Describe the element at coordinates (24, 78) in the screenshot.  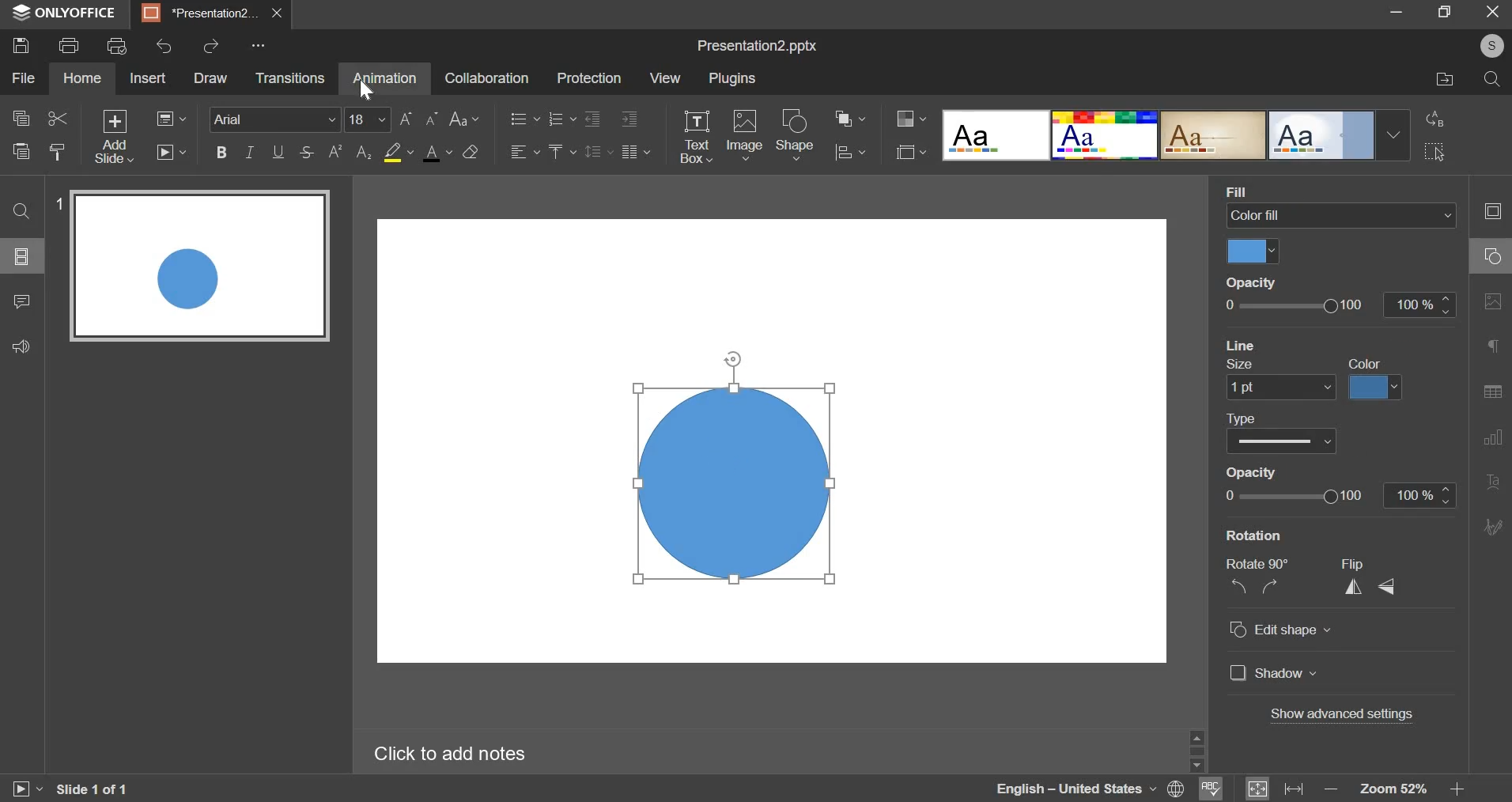
I see `file` at that location.